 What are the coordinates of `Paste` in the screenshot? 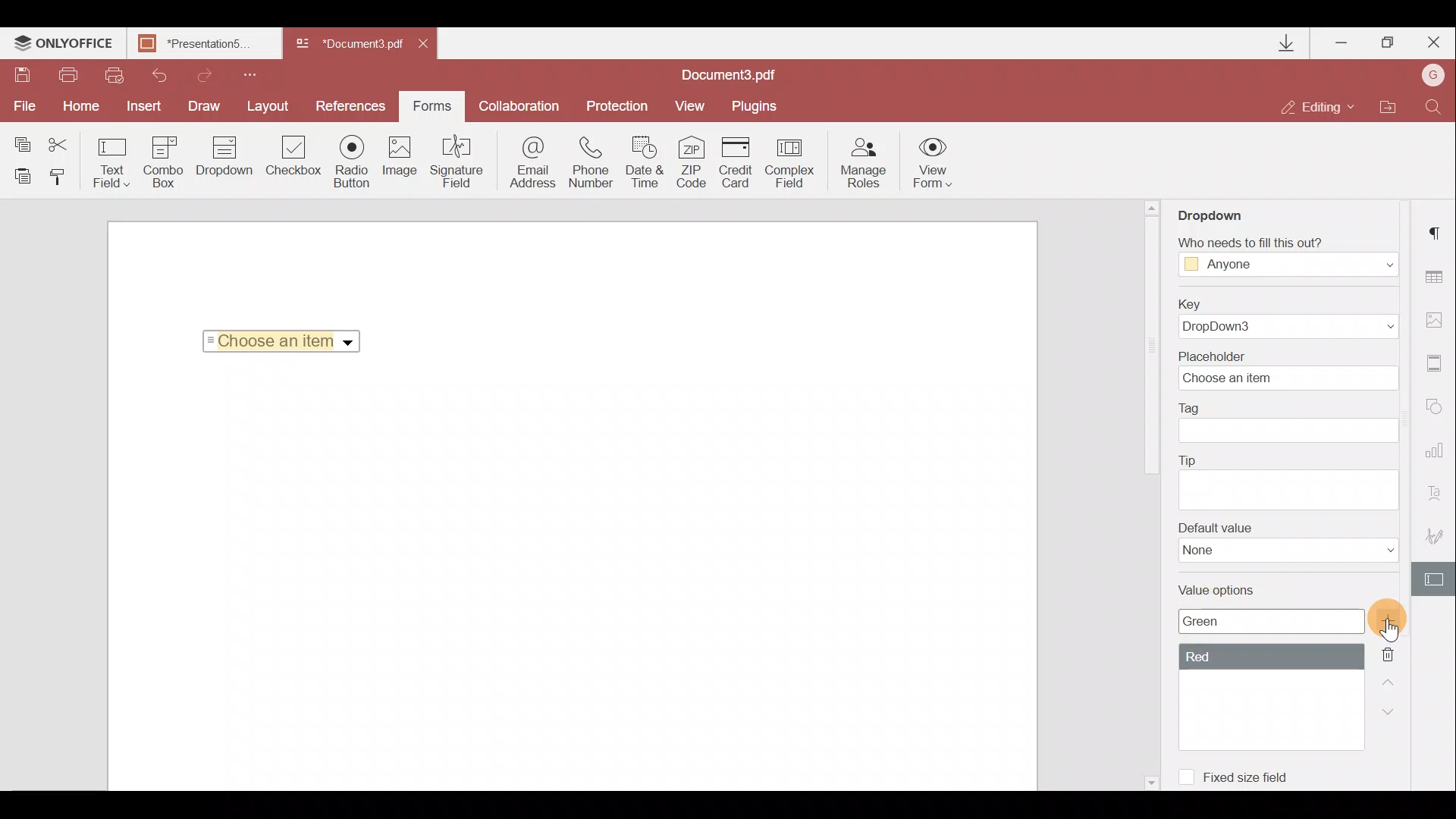 It's located at (21, 178).